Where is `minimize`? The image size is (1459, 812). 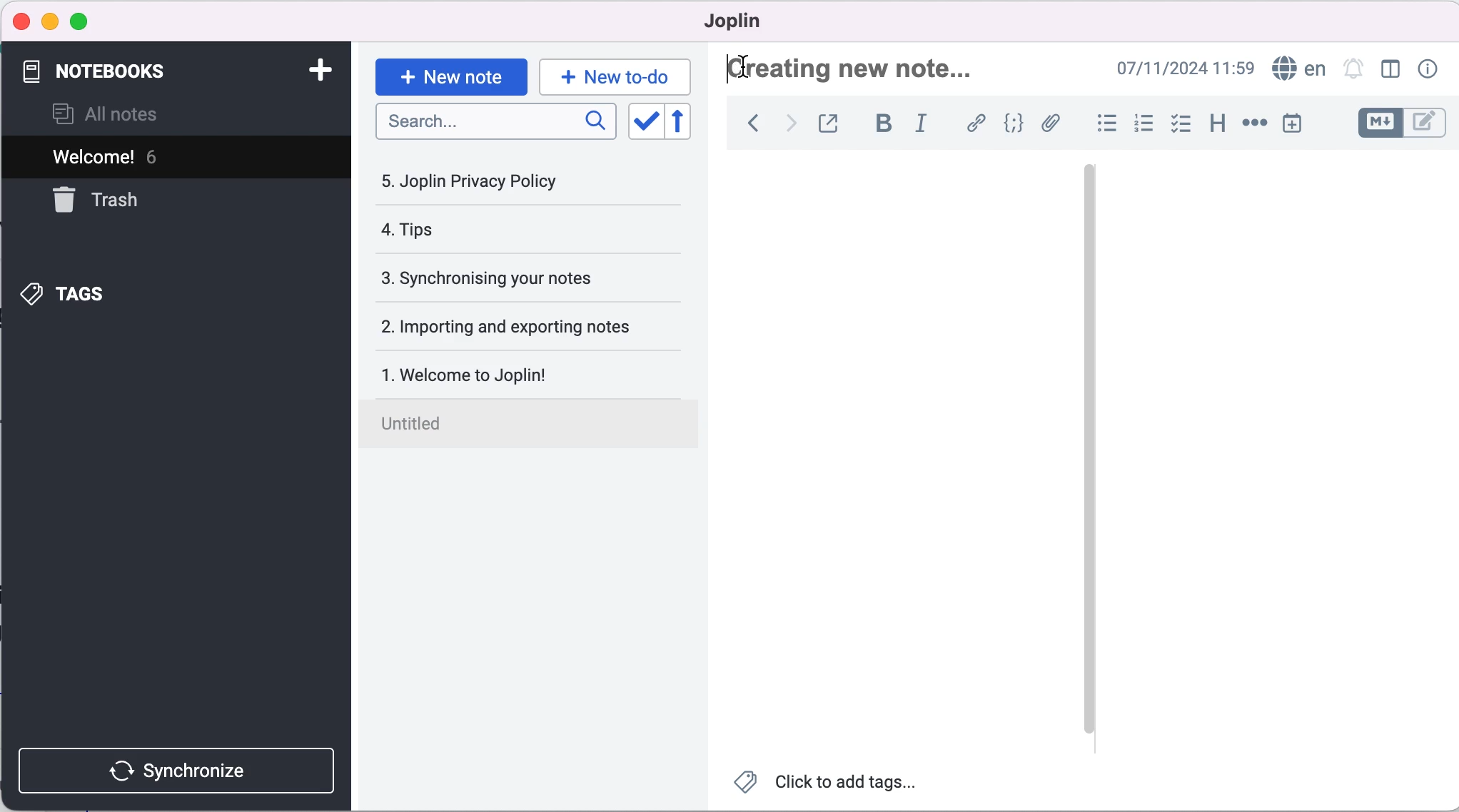
minimize is located at coordinates (50, 19).